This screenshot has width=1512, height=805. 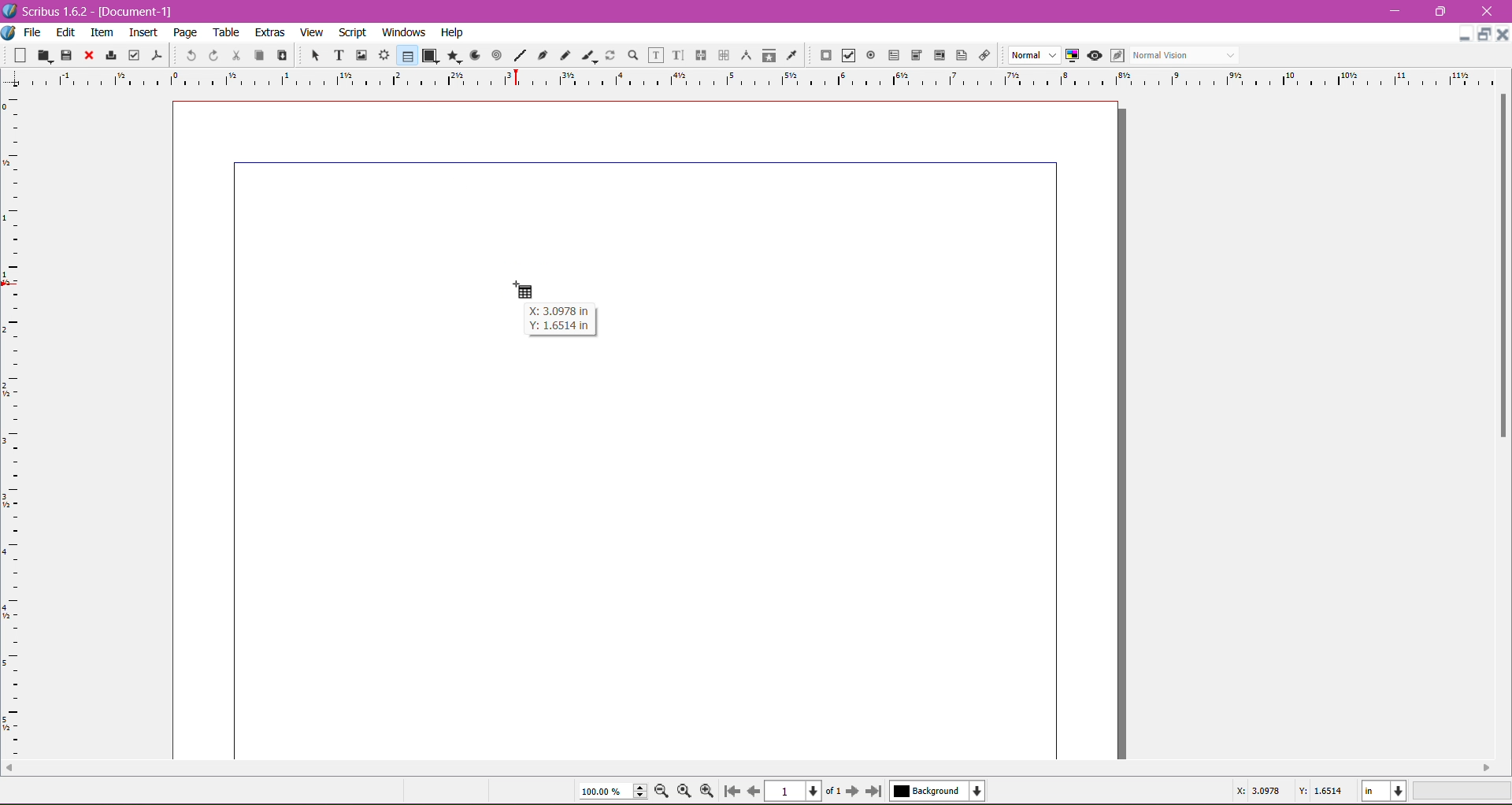 I want to click on Background, so click(x=941, y=791).